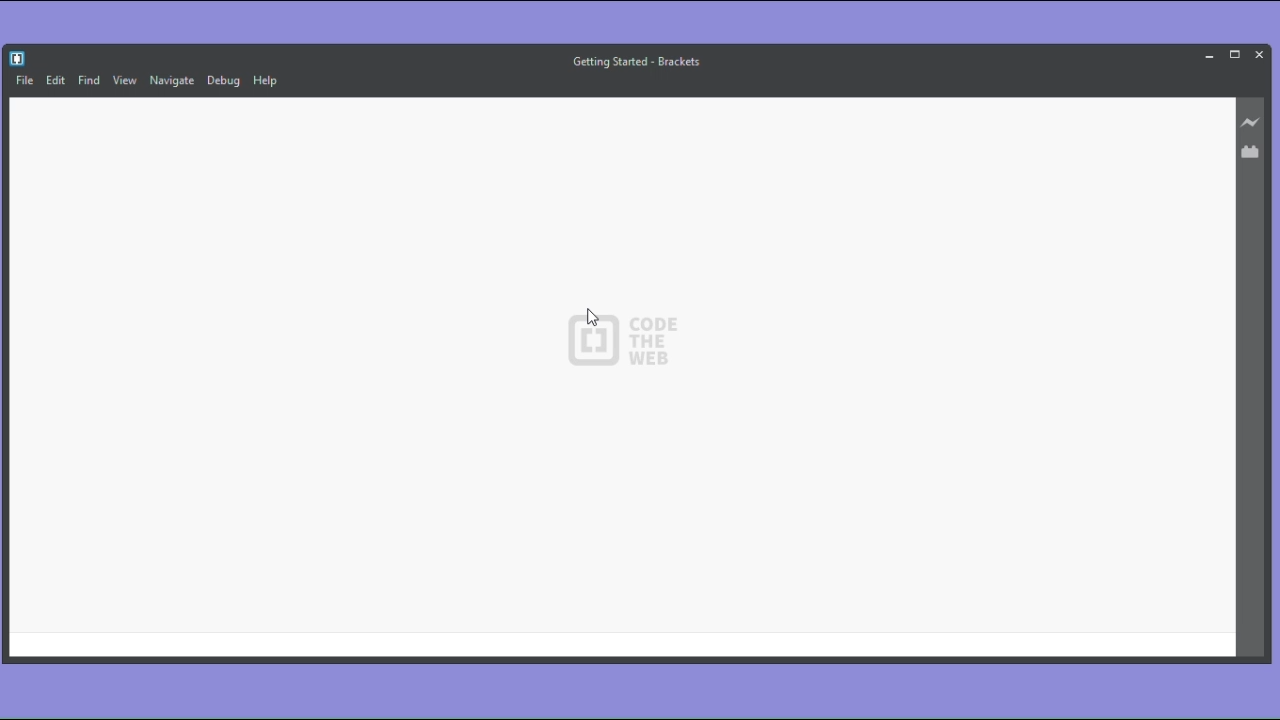 The image size is (1280, 720). What do you see at coordinates (1251, 149) in the screenshot?
I see `Extension manager` at bounding box center [1251, 149].